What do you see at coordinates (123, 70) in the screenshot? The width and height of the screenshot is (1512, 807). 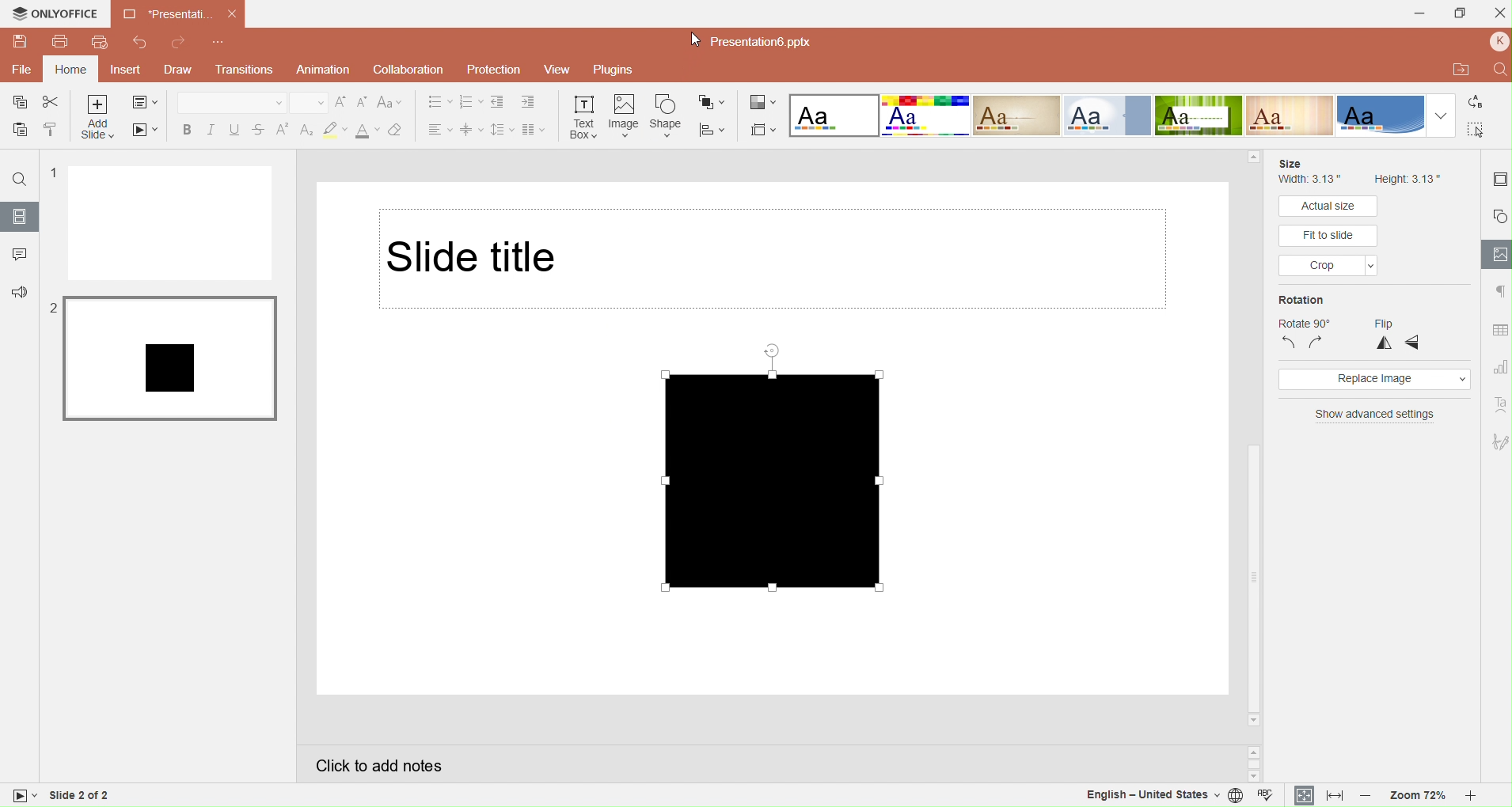 I see `Insert` at bounding box center [123, 70].